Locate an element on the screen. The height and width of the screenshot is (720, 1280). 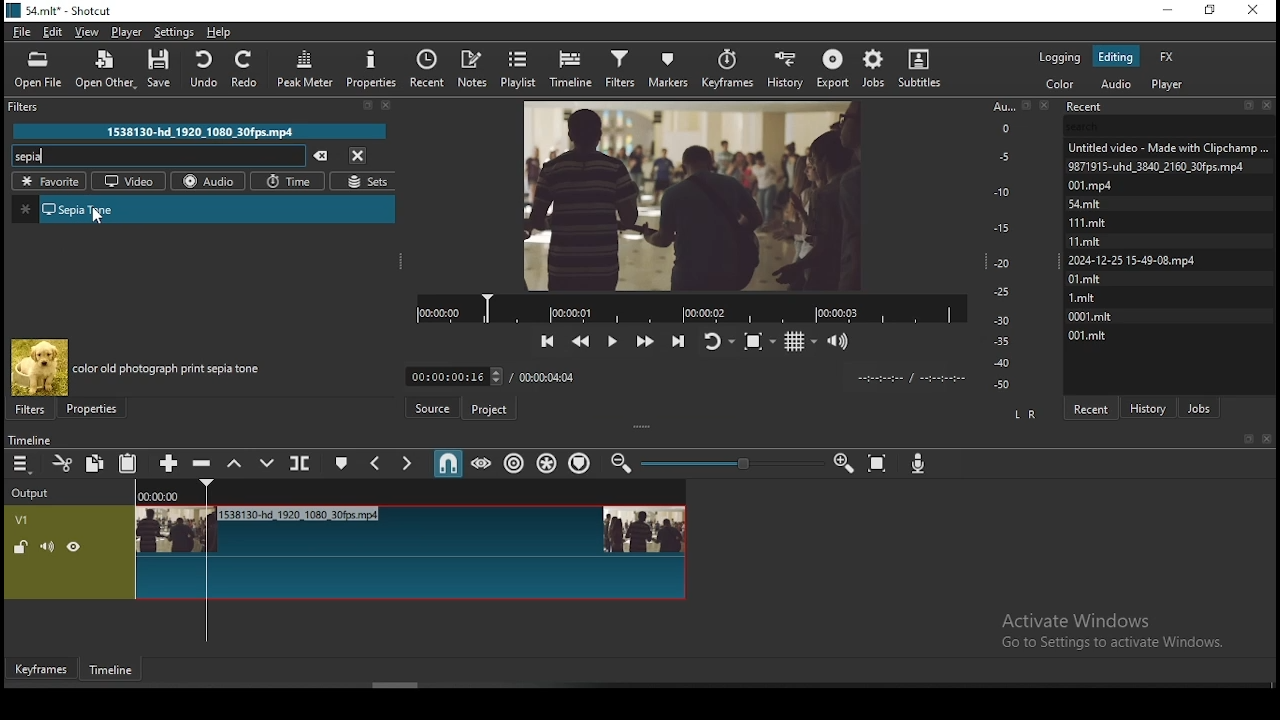
timeline menu is located at coordinates (22, 466).